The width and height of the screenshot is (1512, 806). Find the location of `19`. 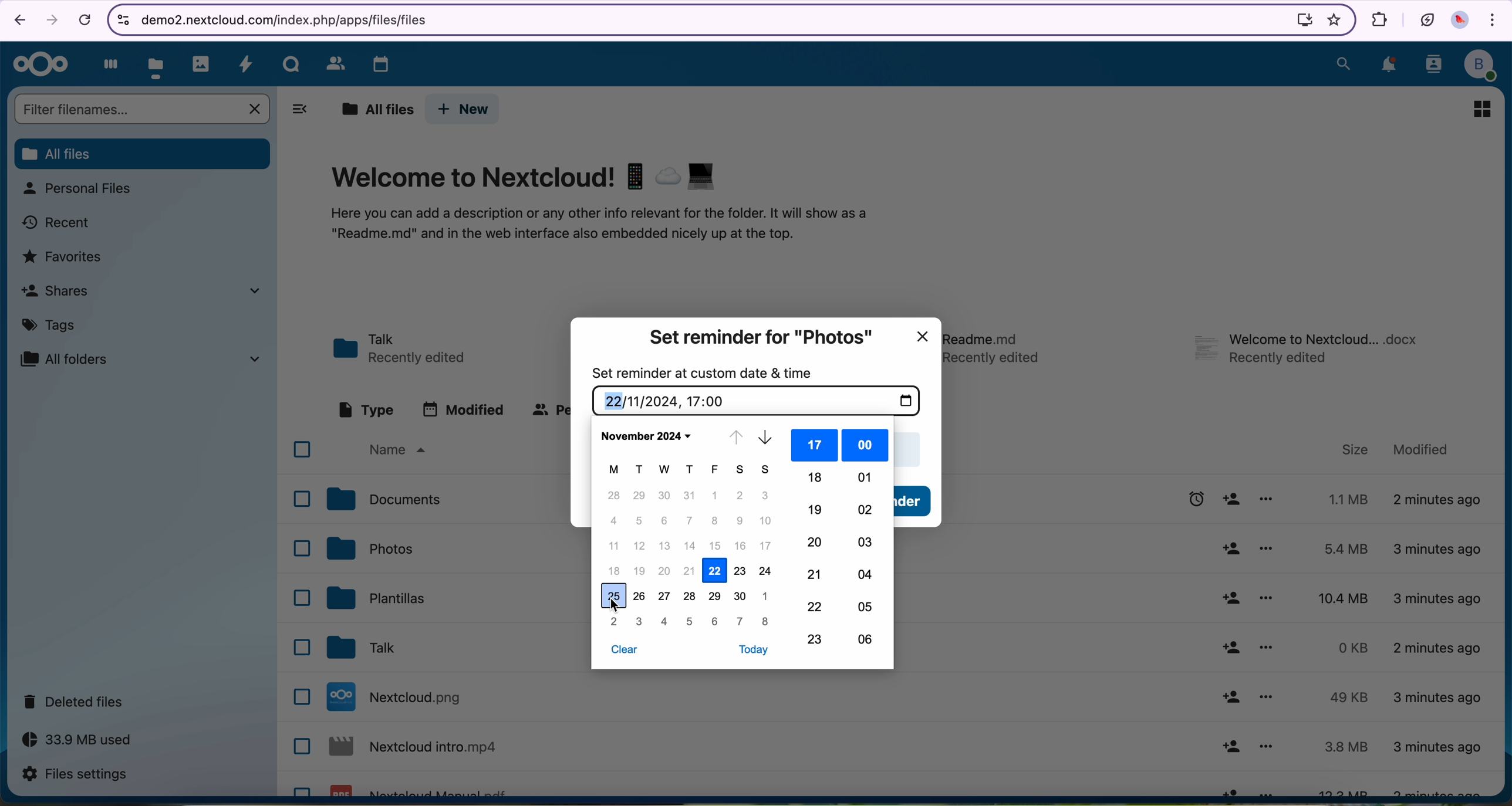

19 is located at coordinates (816, 510).